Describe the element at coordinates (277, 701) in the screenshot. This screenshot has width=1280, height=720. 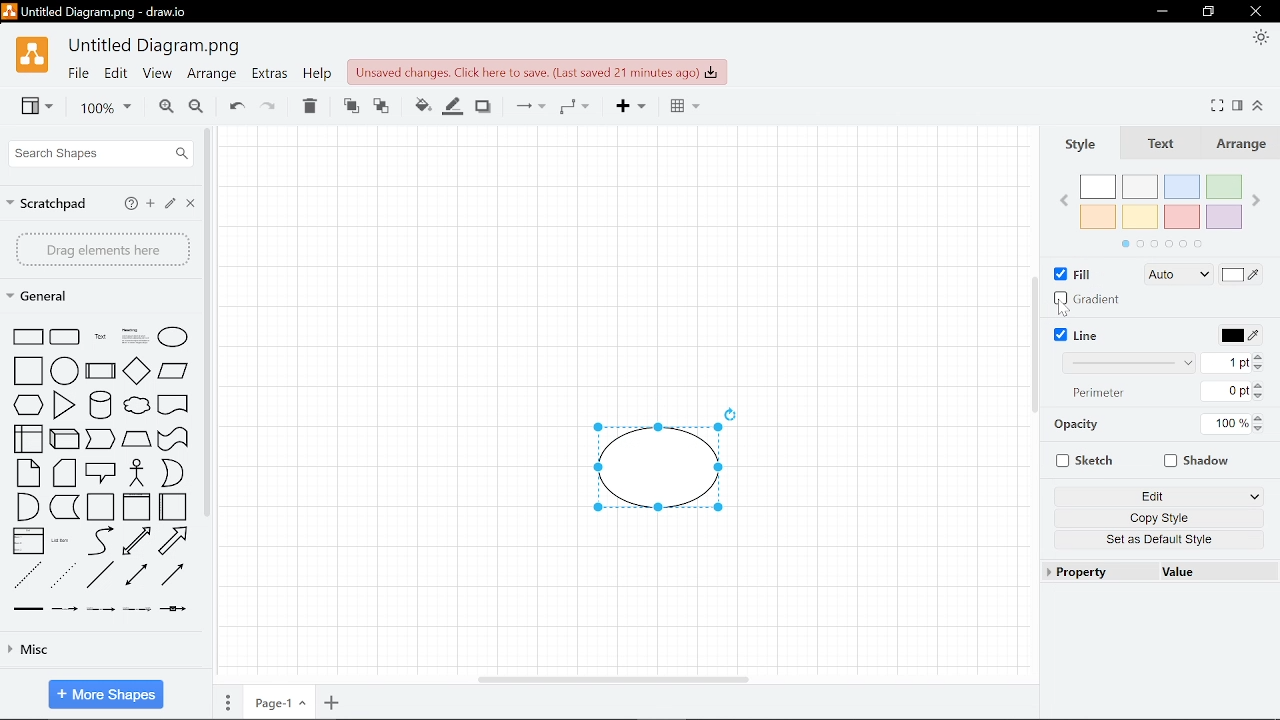
I see `Current page` at that location.